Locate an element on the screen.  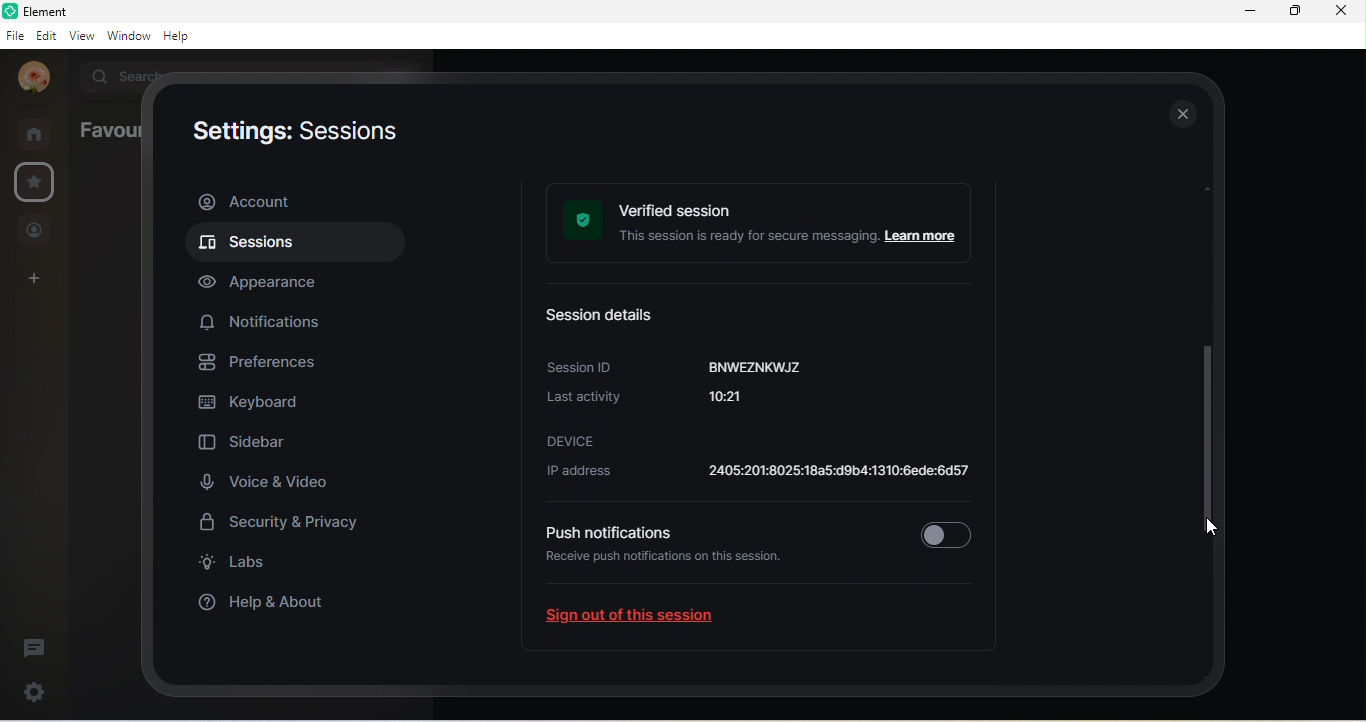
people is located at coordinates (35, 232).